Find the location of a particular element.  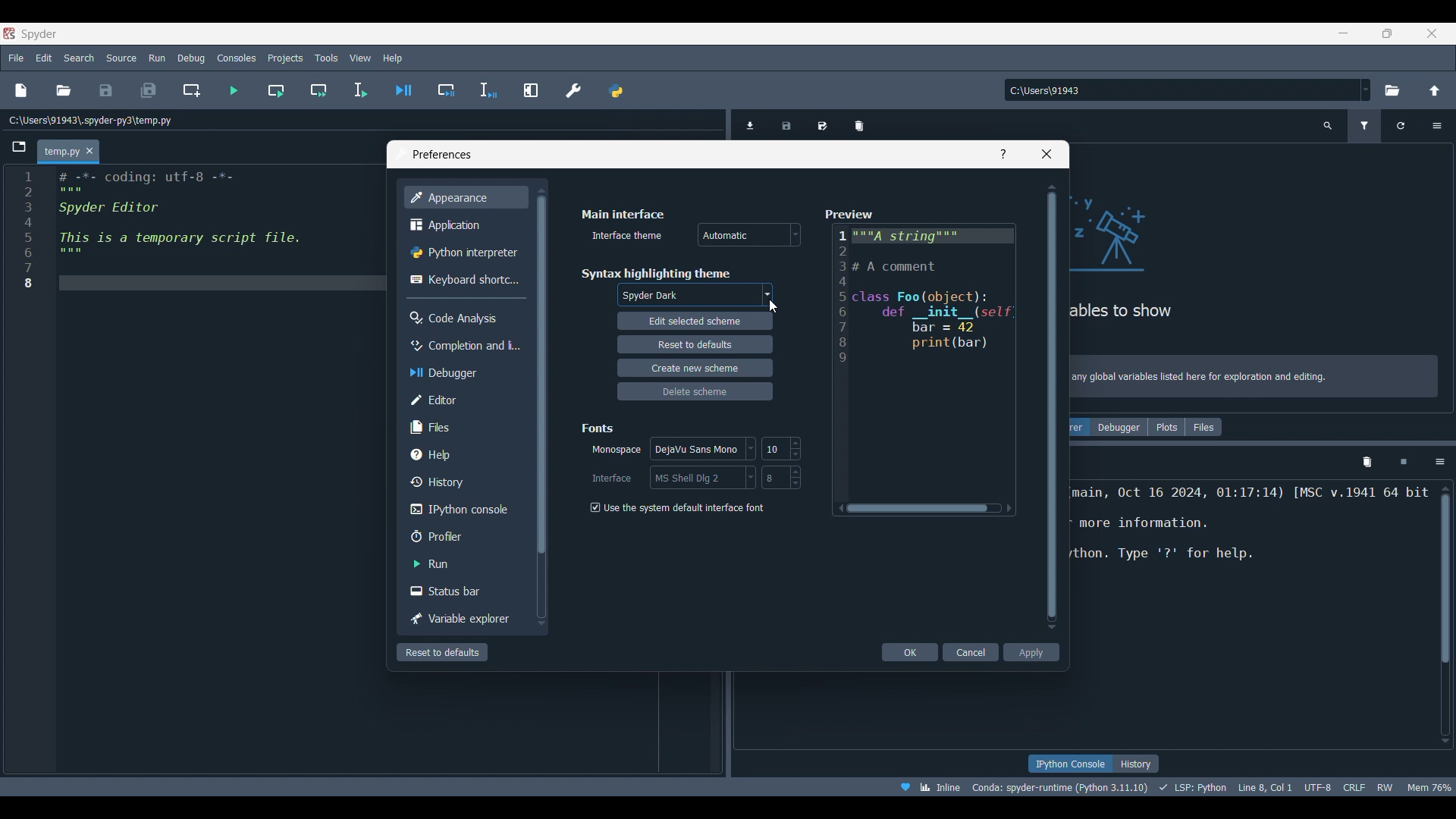

delete scheme is located at coordinates (695, 392).